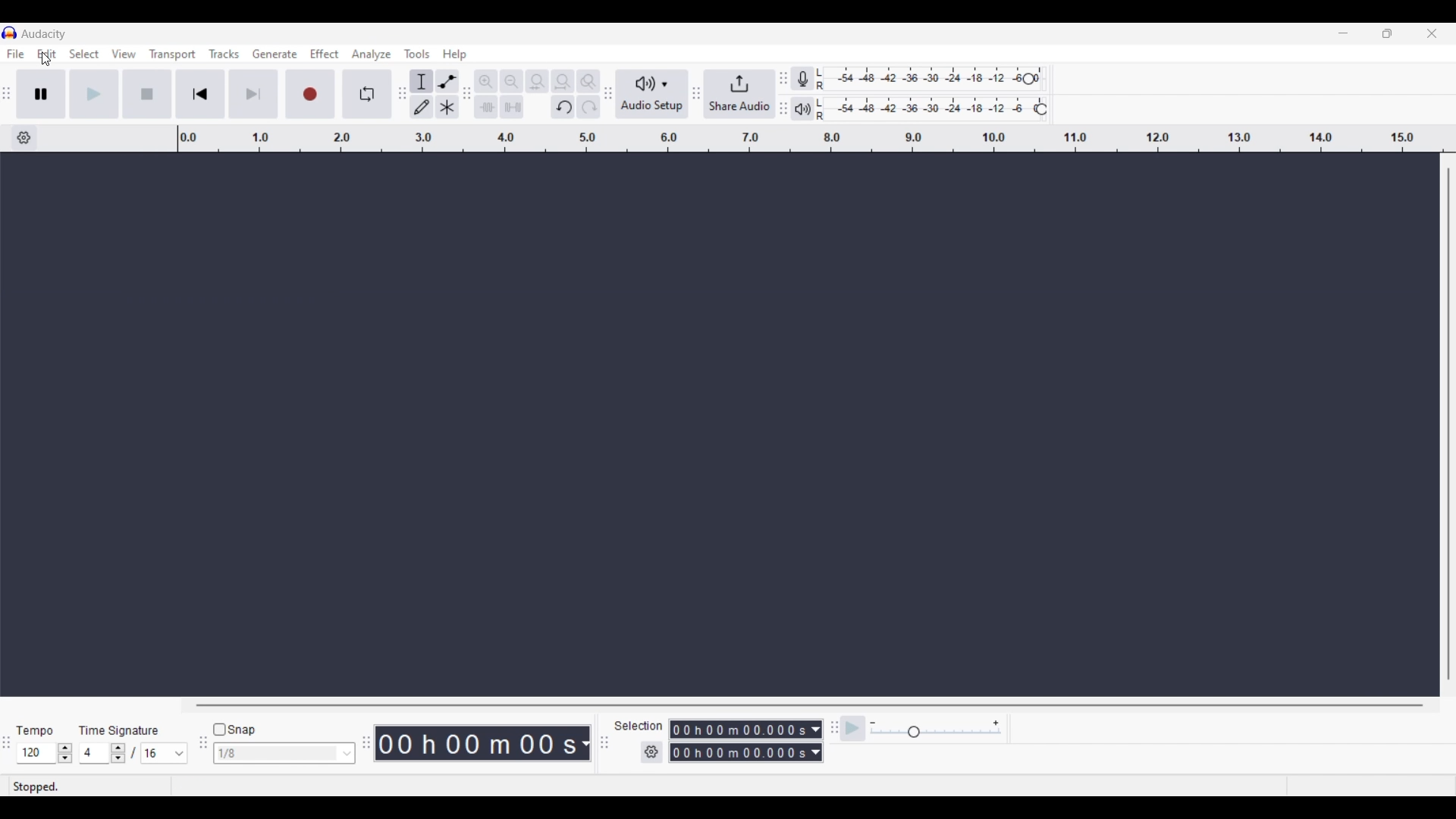  What do you see at coordinates (41, 93) in the screenshot?
I see `Pause` at bounding box center [41, 93].